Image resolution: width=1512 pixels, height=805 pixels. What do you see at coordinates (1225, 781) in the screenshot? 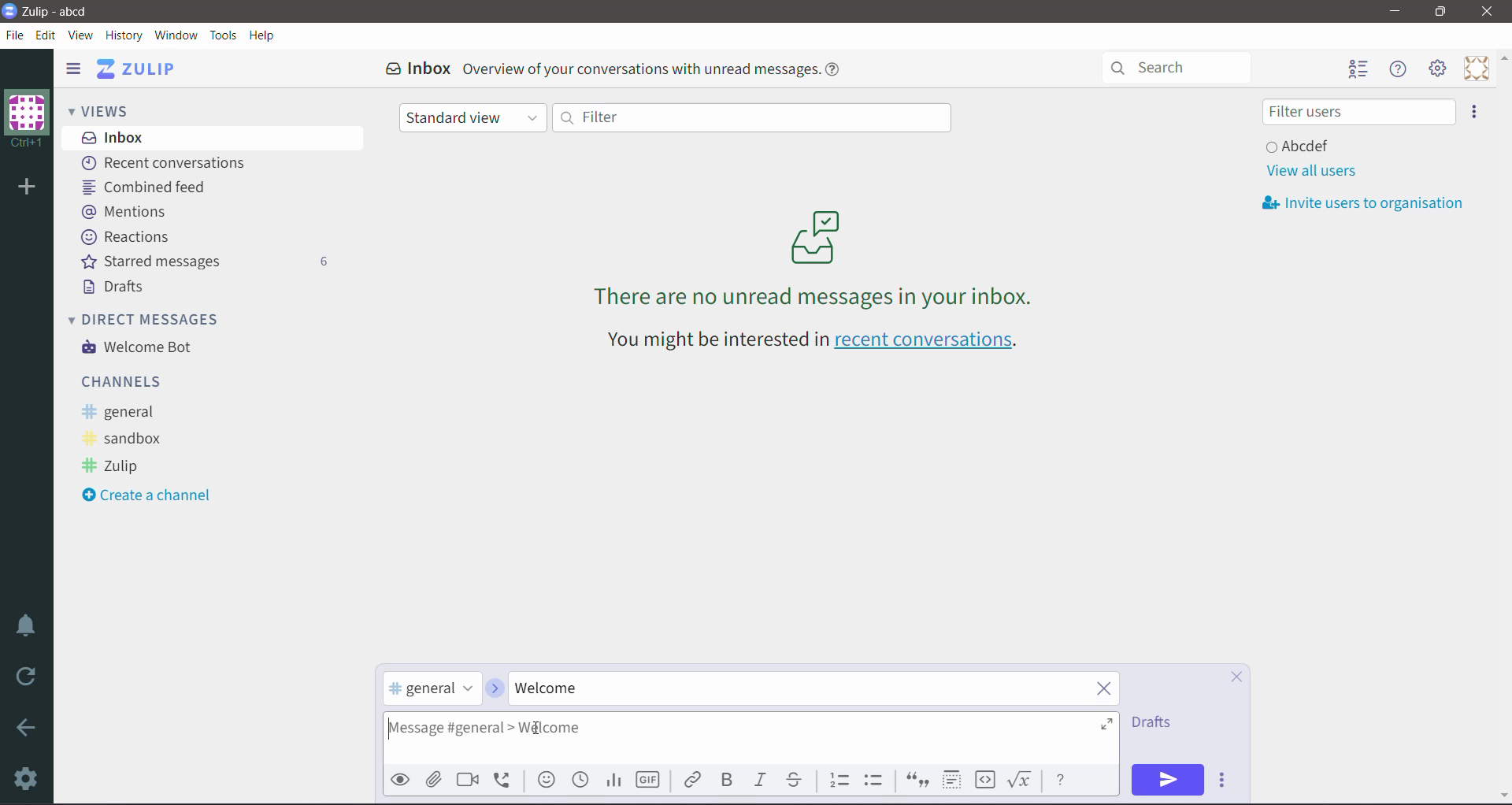
I see `Send Options` at bounding box center [1225, 781].